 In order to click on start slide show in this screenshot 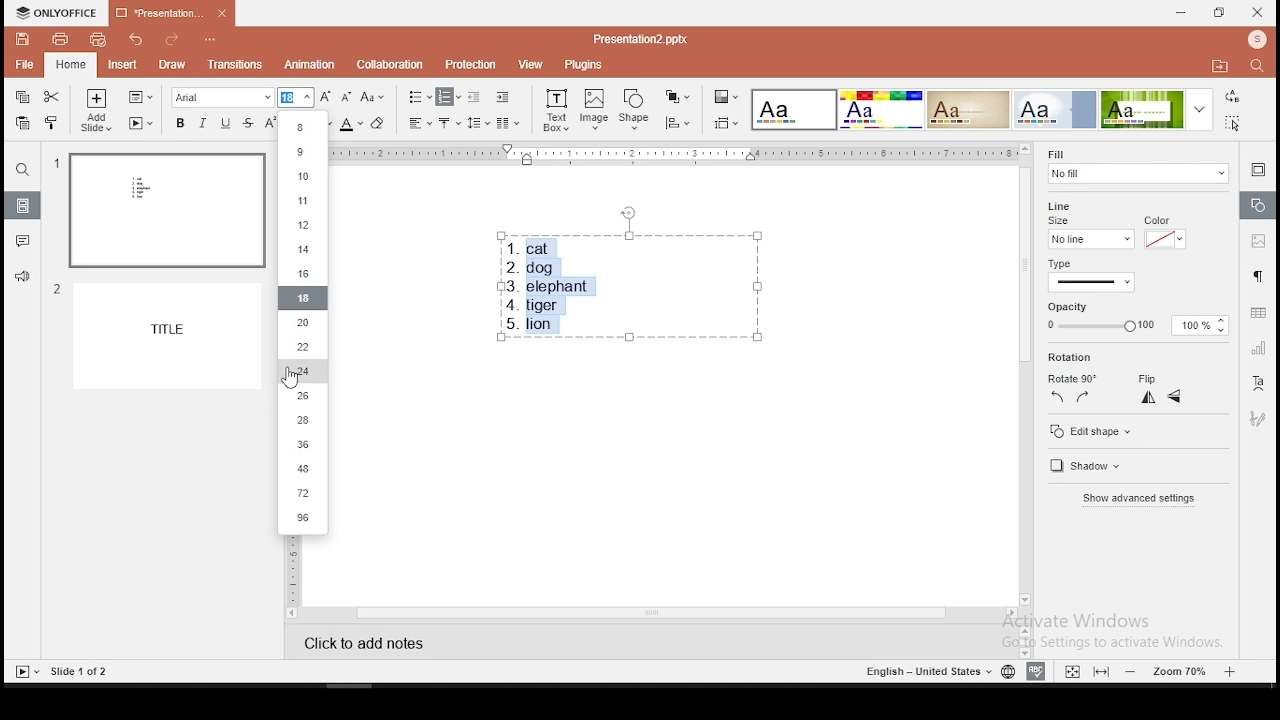, I will do `click(24, 671)`.